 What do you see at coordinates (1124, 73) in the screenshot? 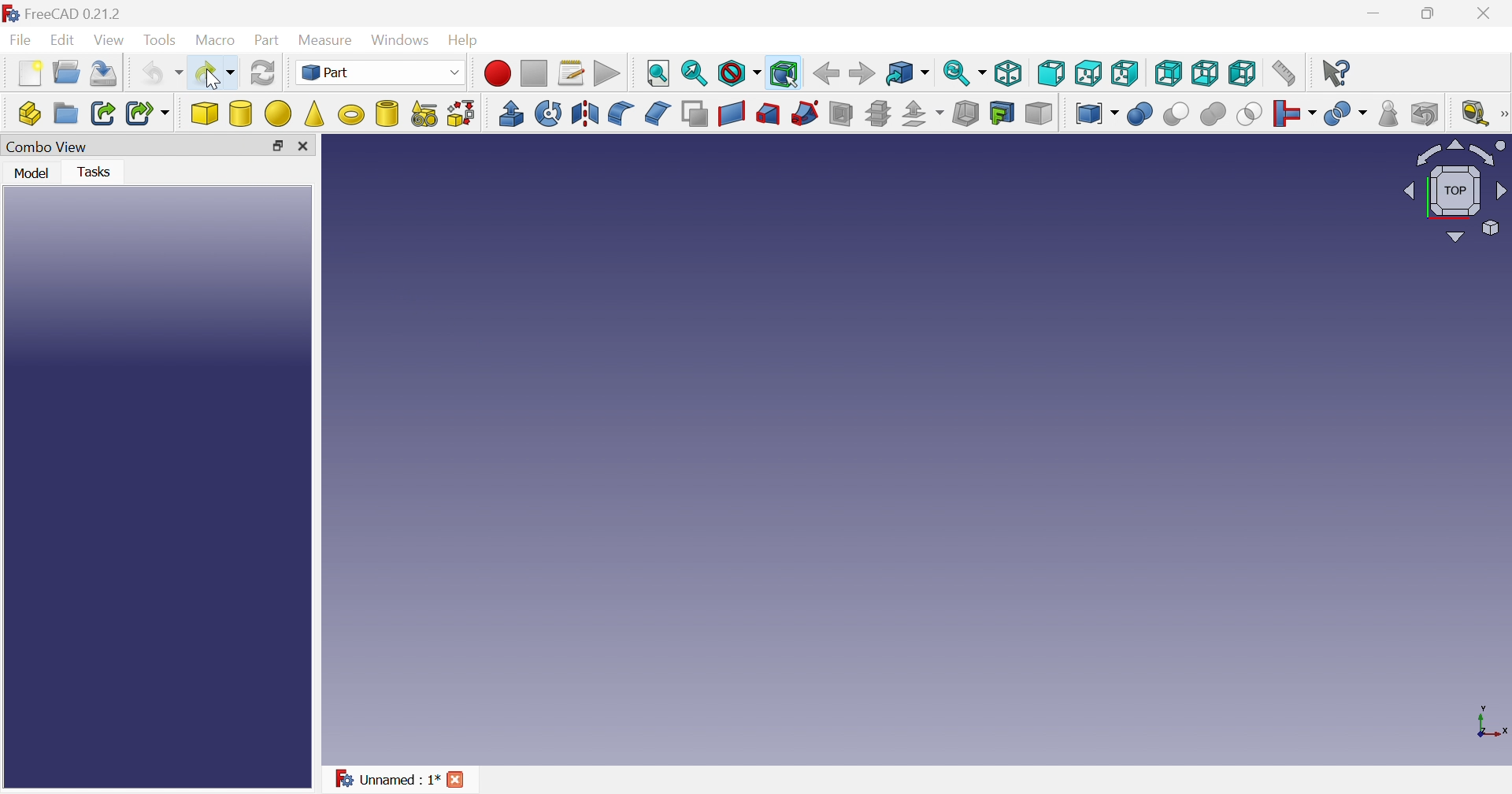
I see `Top` at bounding box center [1124, 73].